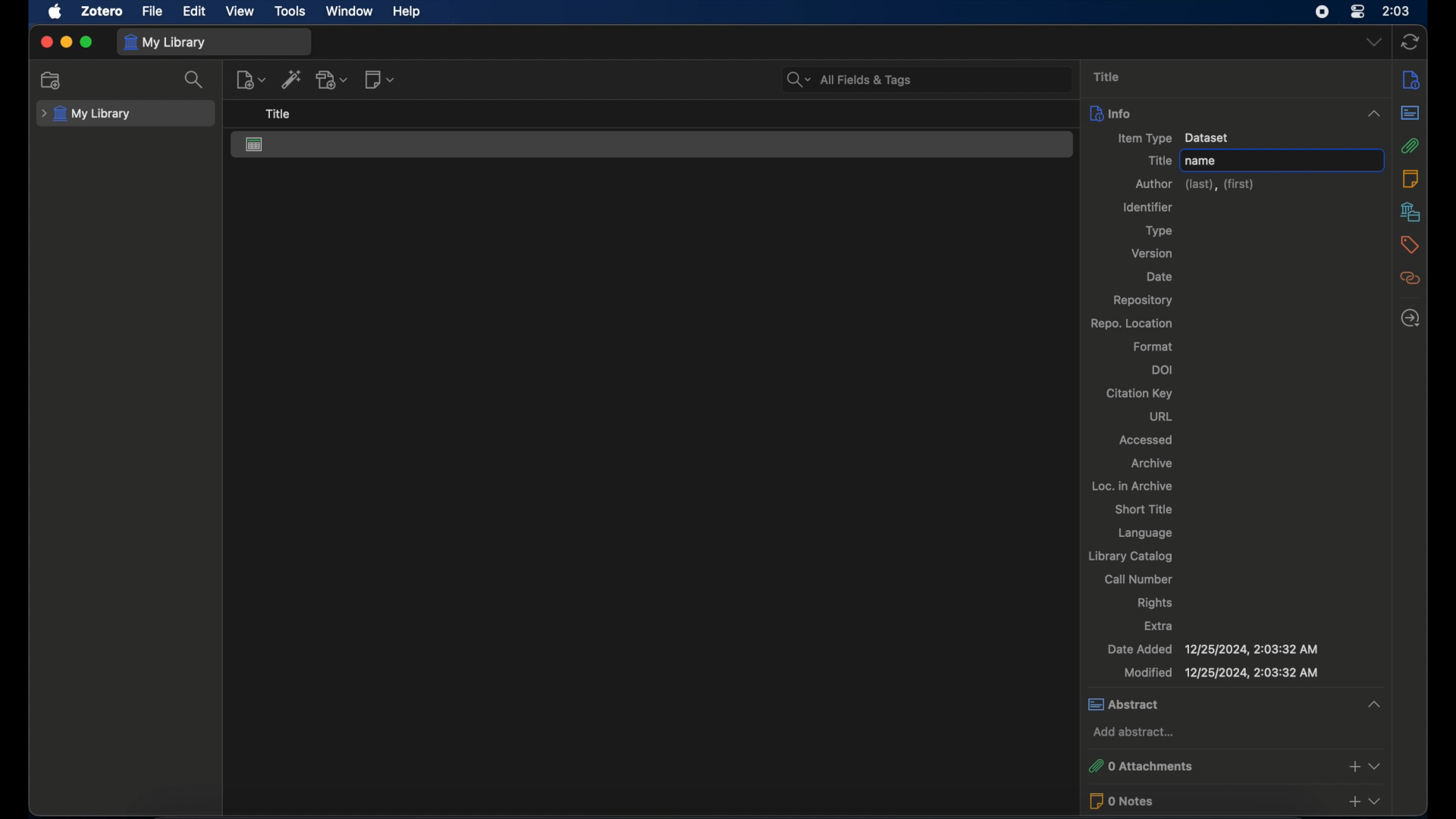 Image resolution: width=1456 pixels, height=819 pixels. I want to click on my library, so click(168, 43).